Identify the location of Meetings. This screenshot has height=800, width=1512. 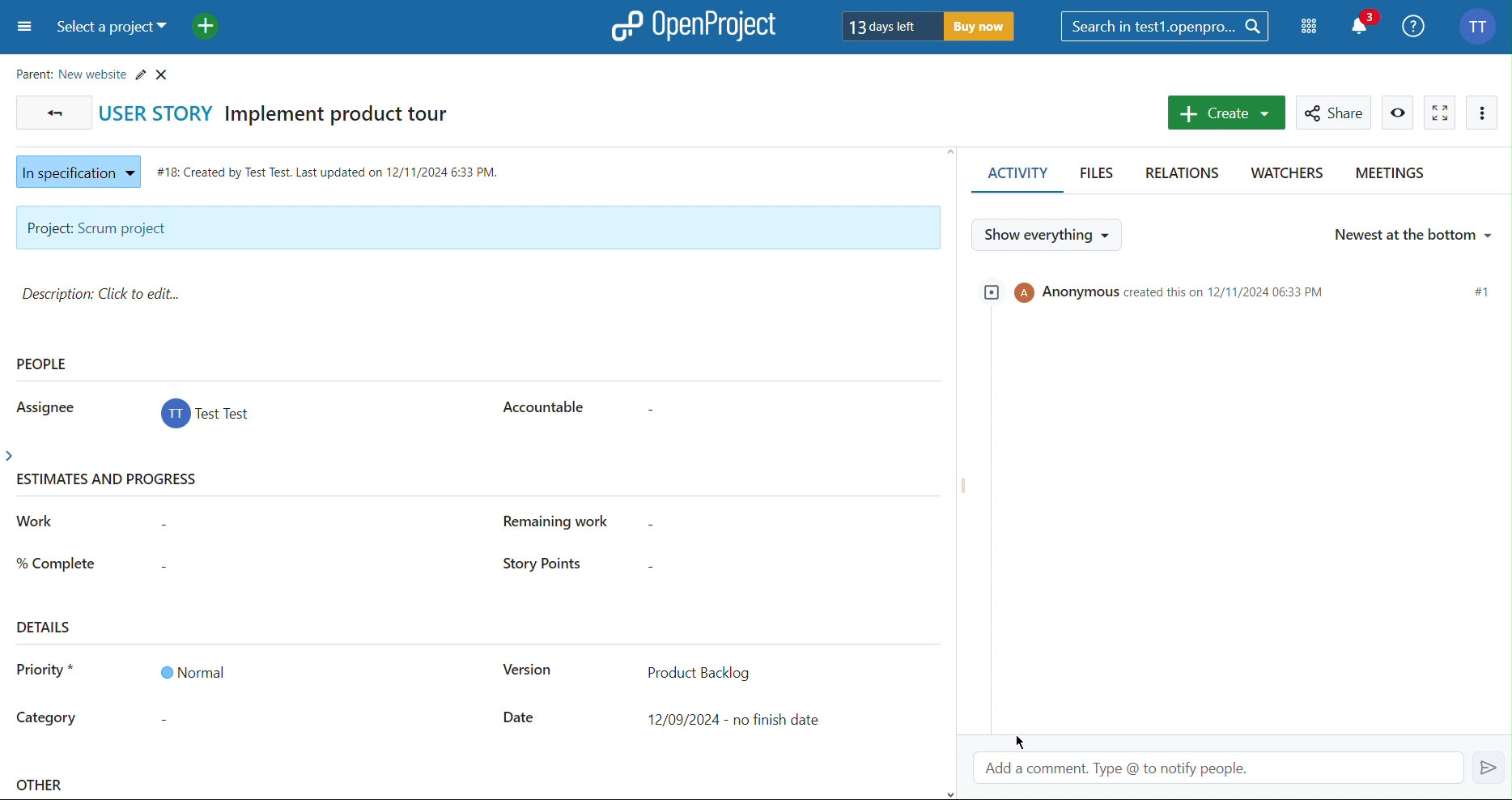
(1388, 176).